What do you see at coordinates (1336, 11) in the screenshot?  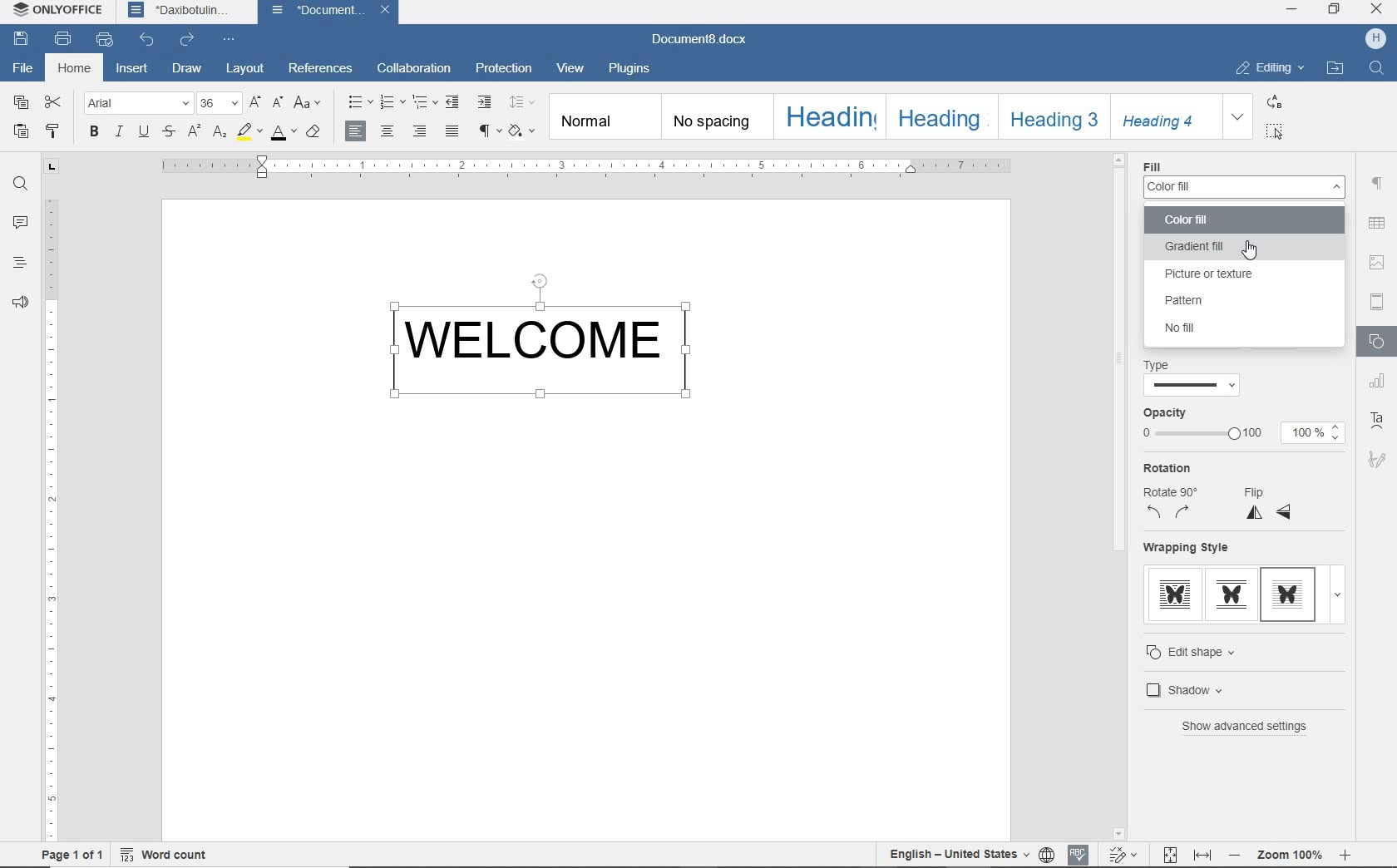 I see `RESTORE DOWN` at bounding box center [1336, 11].